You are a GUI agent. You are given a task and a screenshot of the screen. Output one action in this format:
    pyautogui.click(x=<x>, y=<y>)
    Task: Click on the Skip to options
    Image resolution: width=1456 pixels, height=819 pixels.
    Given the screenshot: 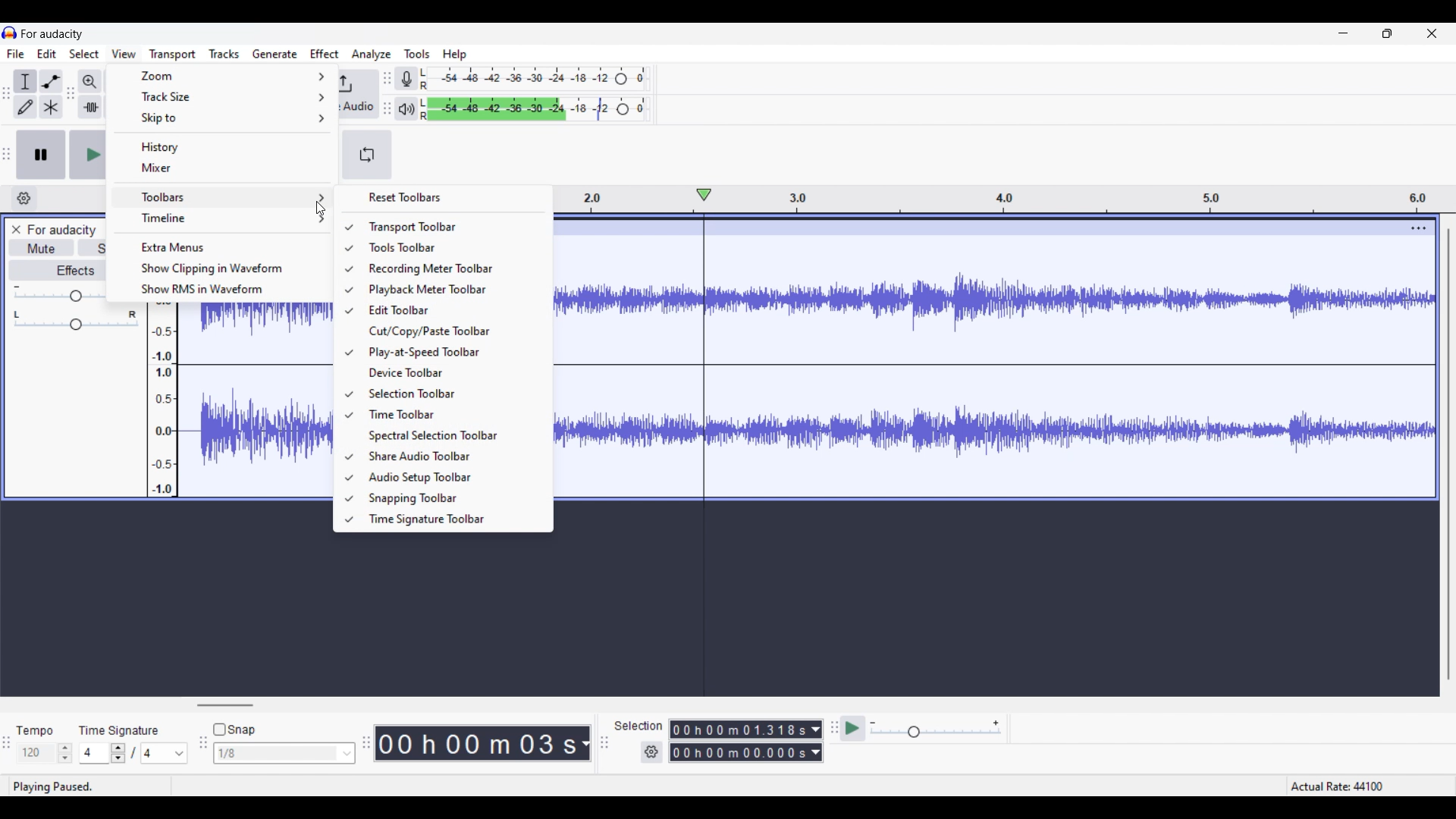 What is the action you would take?
    pyautogui.click(x=224, y=118)
    